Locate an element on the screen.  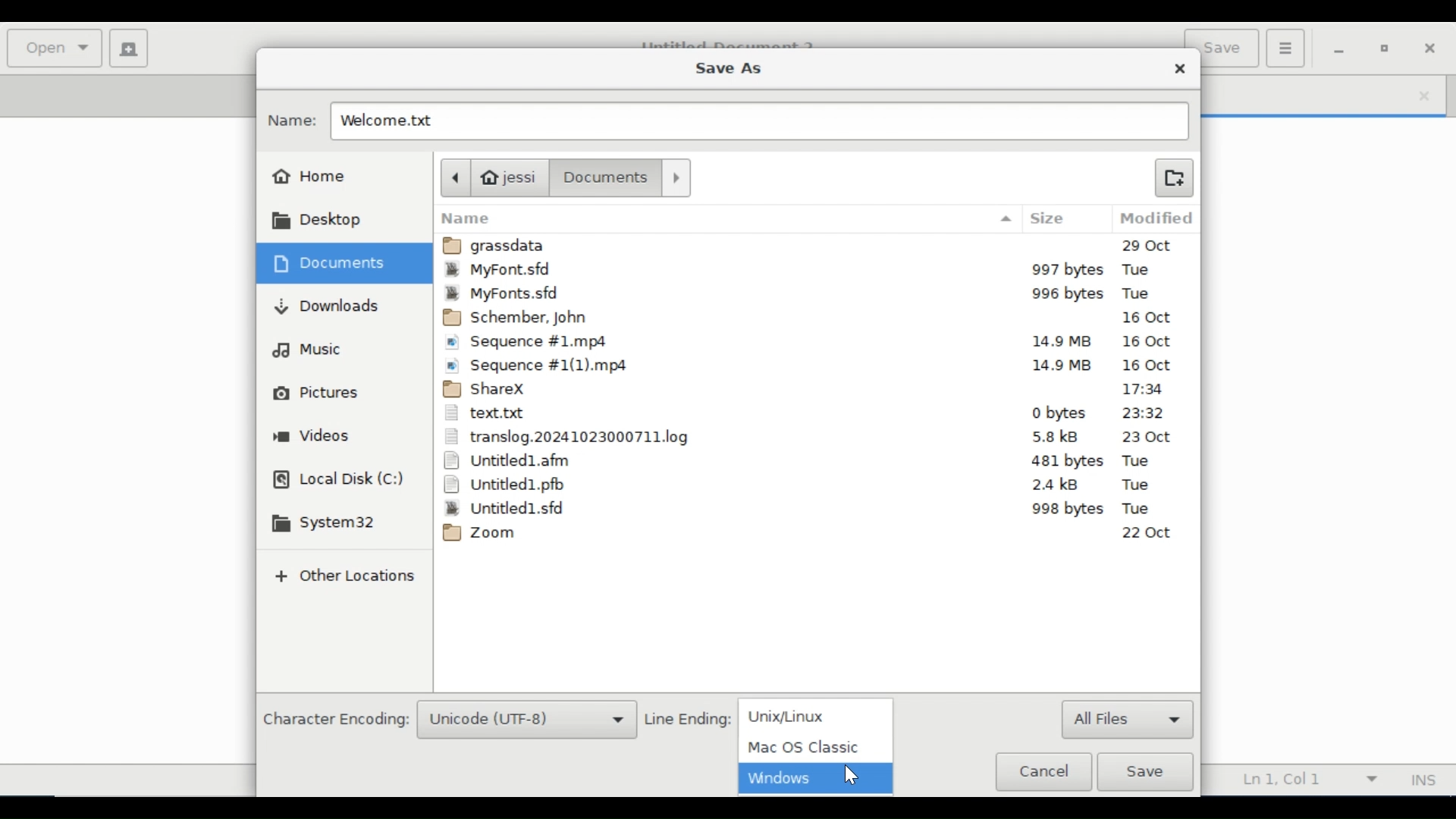
Line Column Preference is located at coordinates (1304, 779).